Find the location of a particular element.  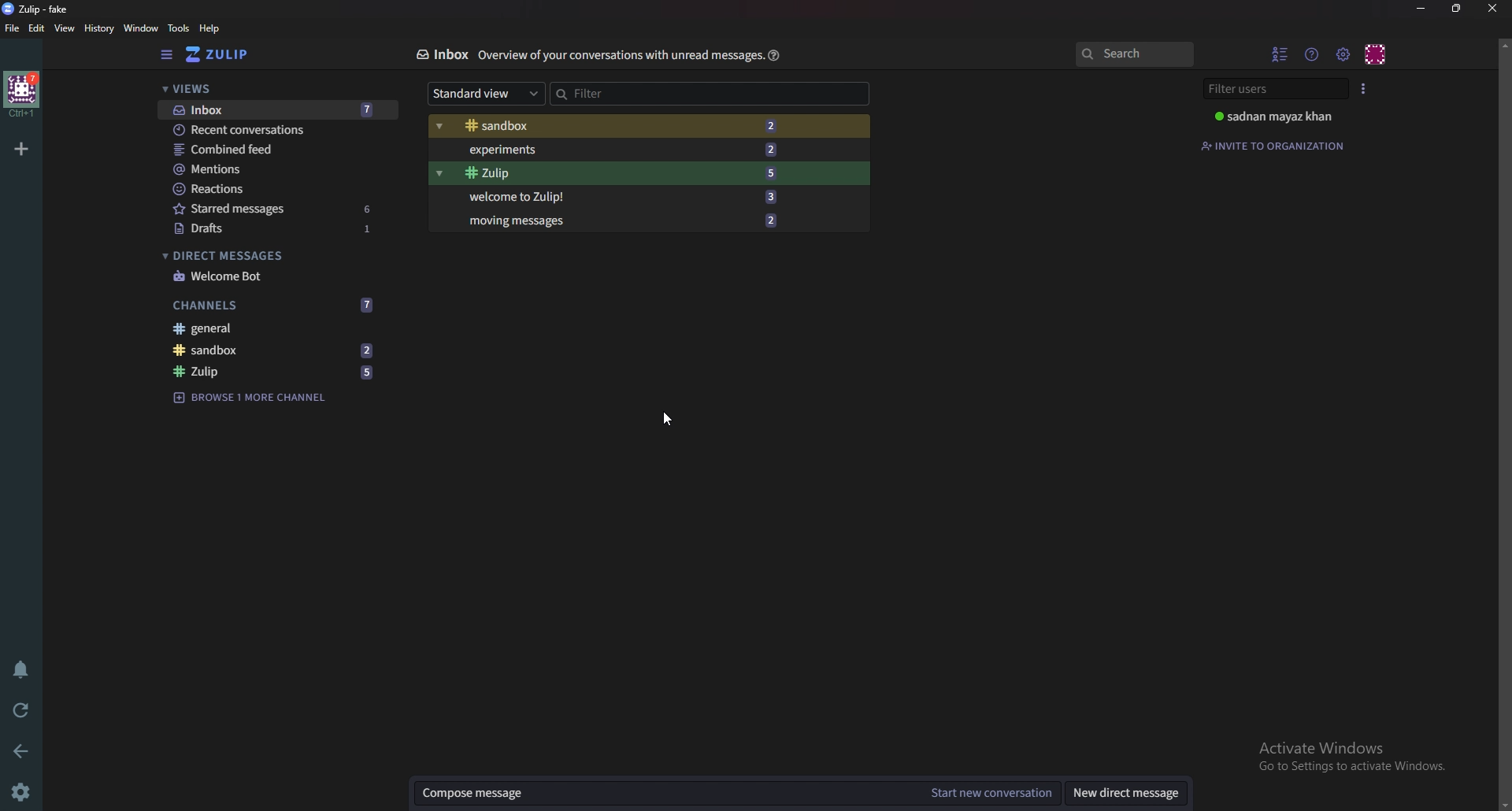

settings is located at coordinates (24, 791).